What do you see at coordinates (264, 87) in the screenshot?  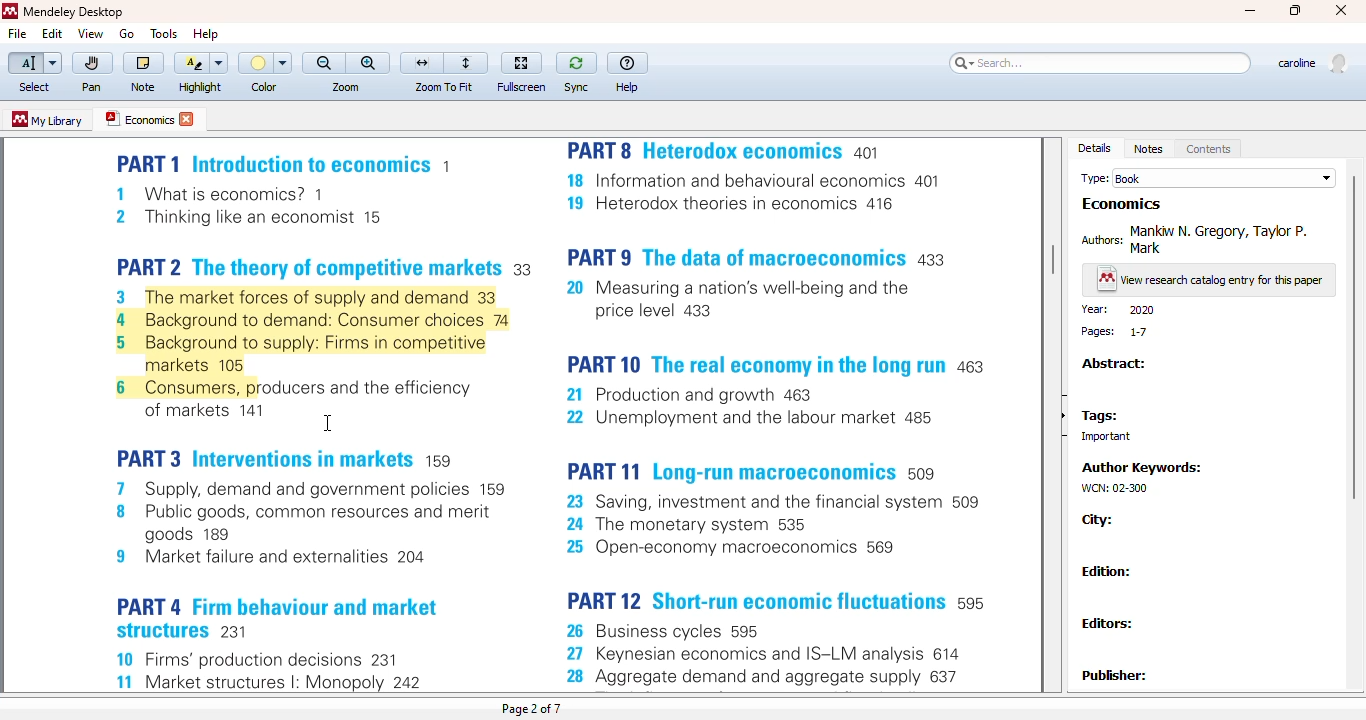 I see `color` at bounding box center [264, 87].